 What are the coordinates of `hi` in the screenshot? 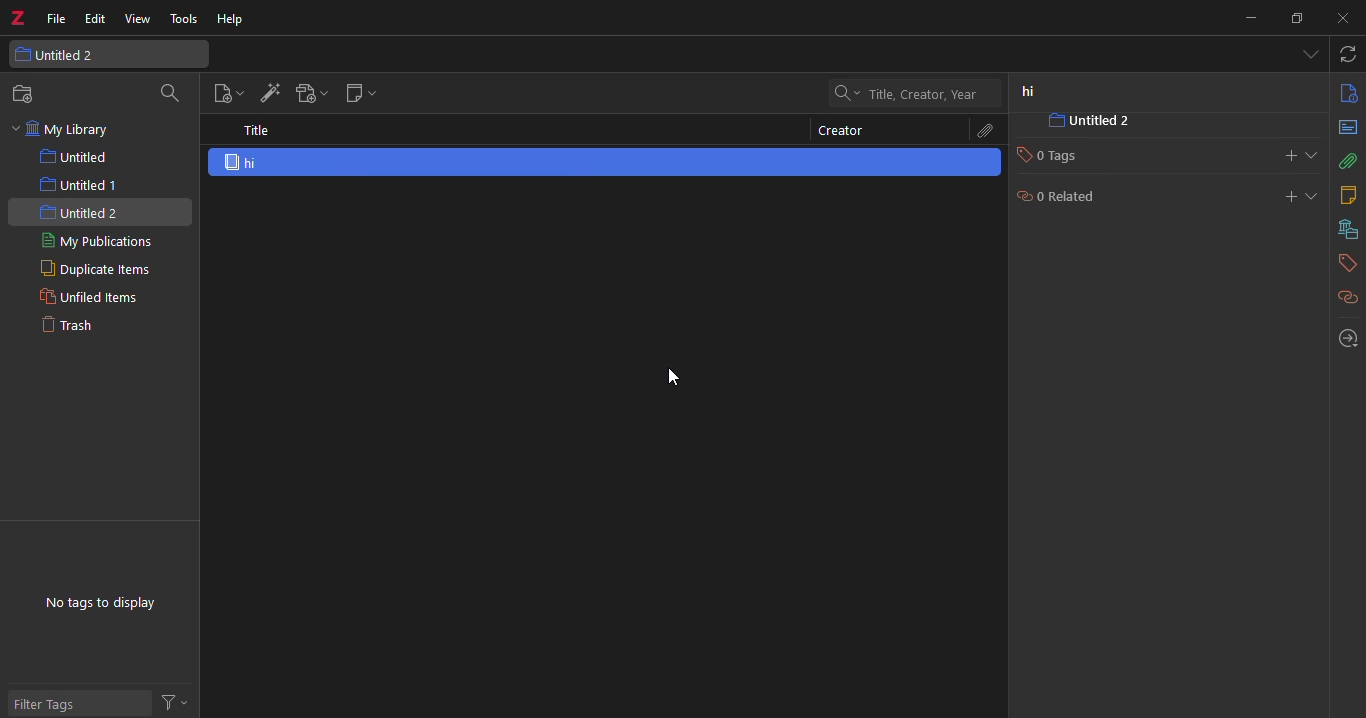 It's located at (1029, 92).